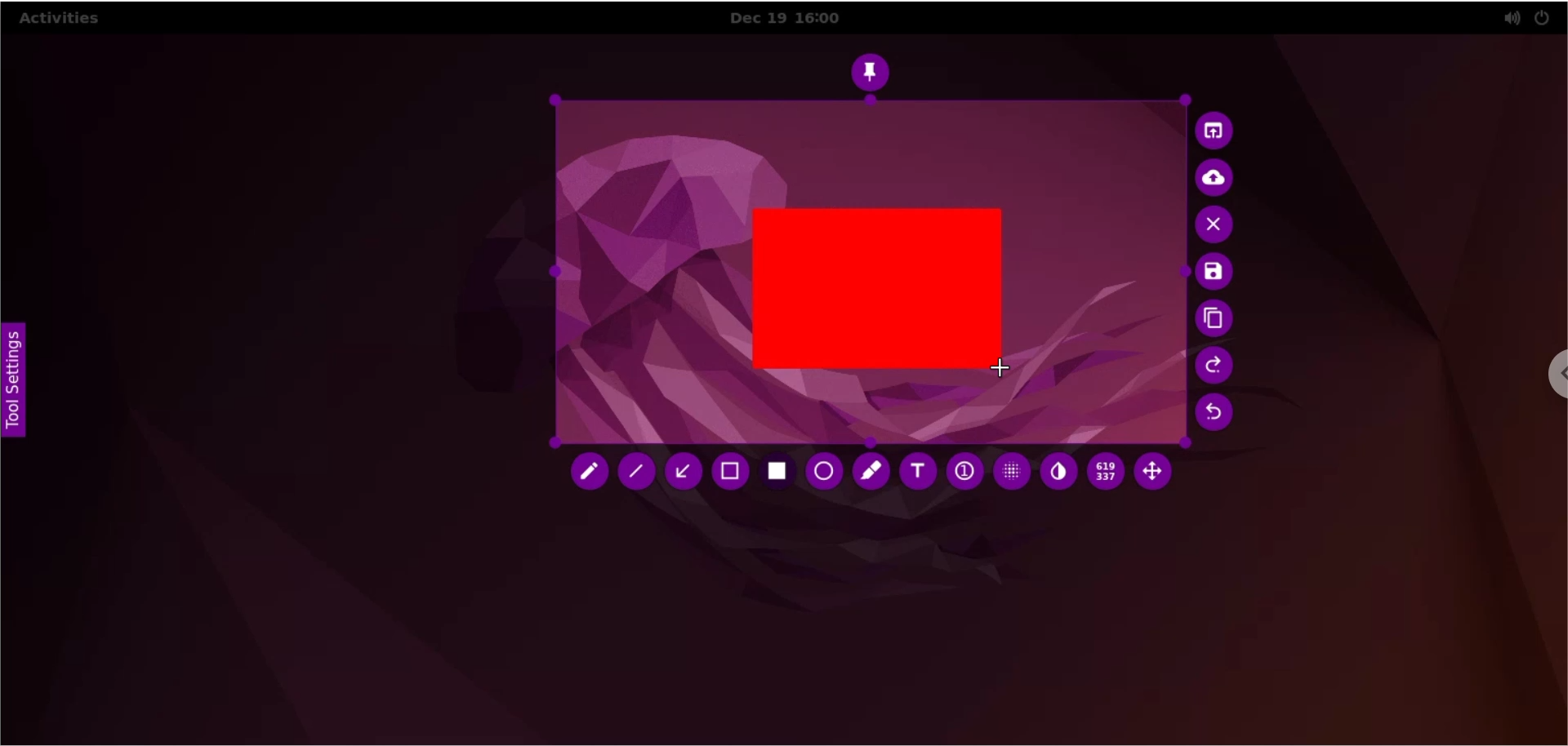  I want to click on ellipse, so click(822, 471).